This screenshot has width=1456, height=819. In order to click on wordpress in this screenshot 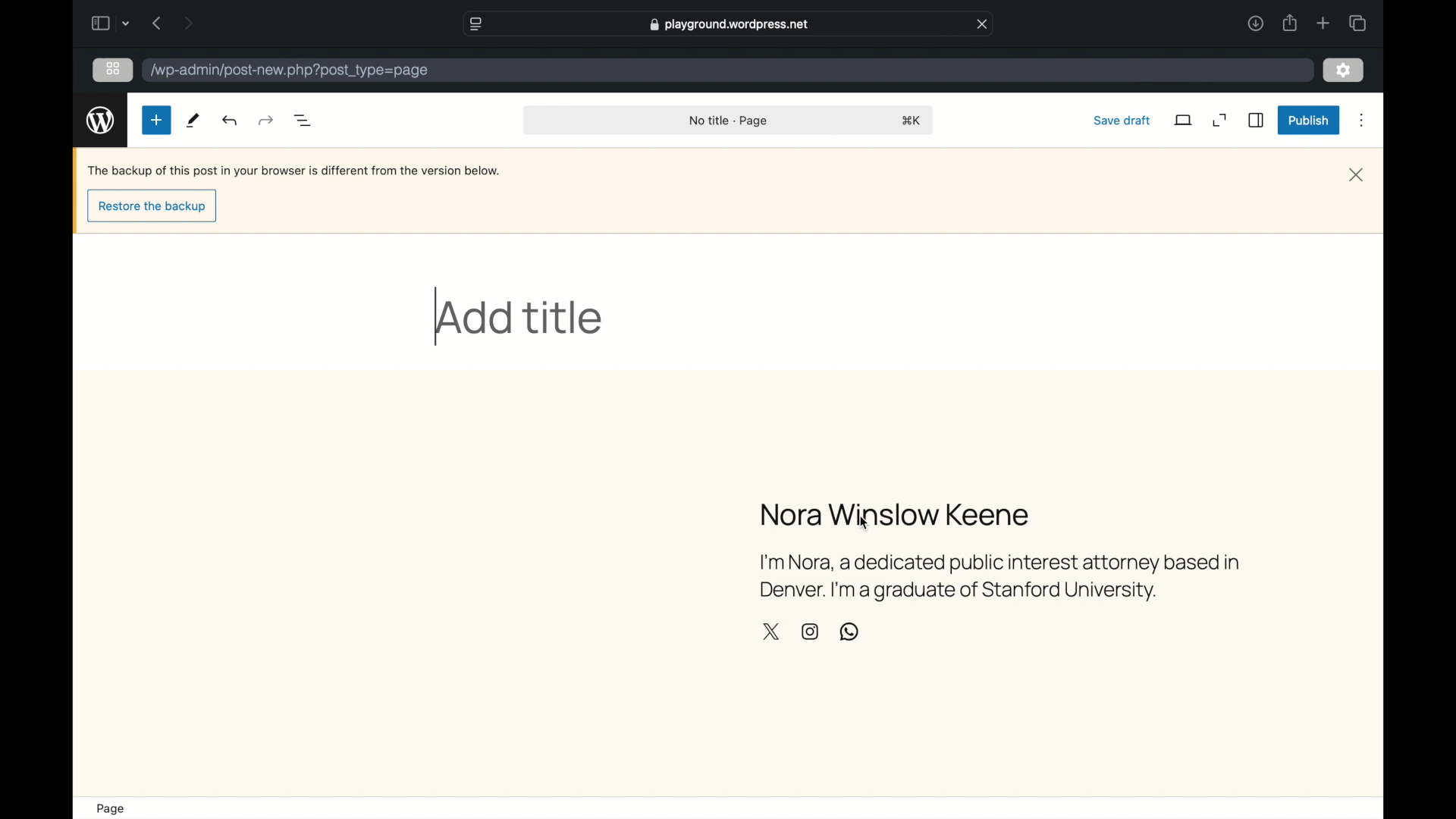, I will do `click(101, 121)`.